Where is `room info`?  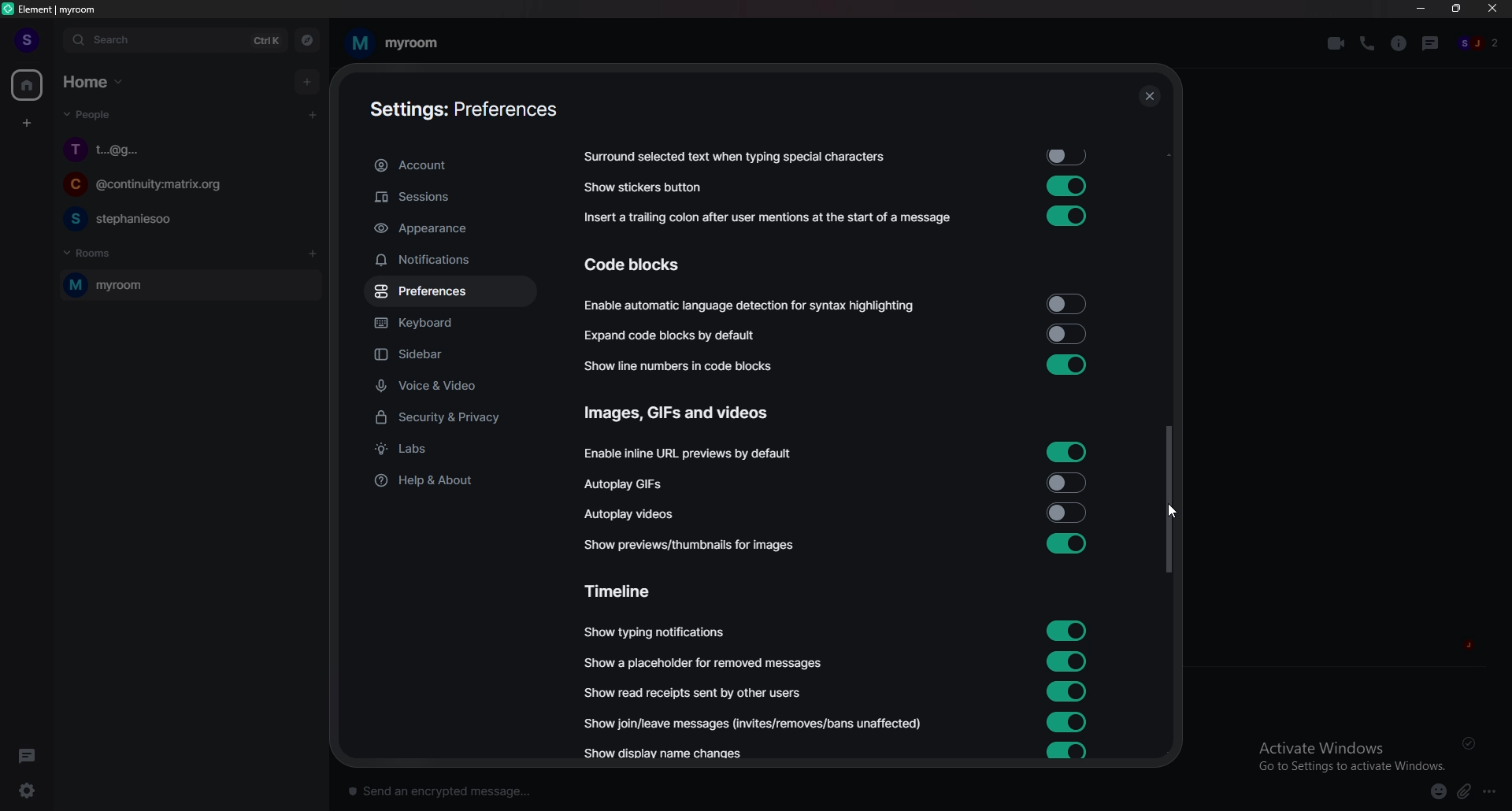
room info is located at coordinates (1400, 43).